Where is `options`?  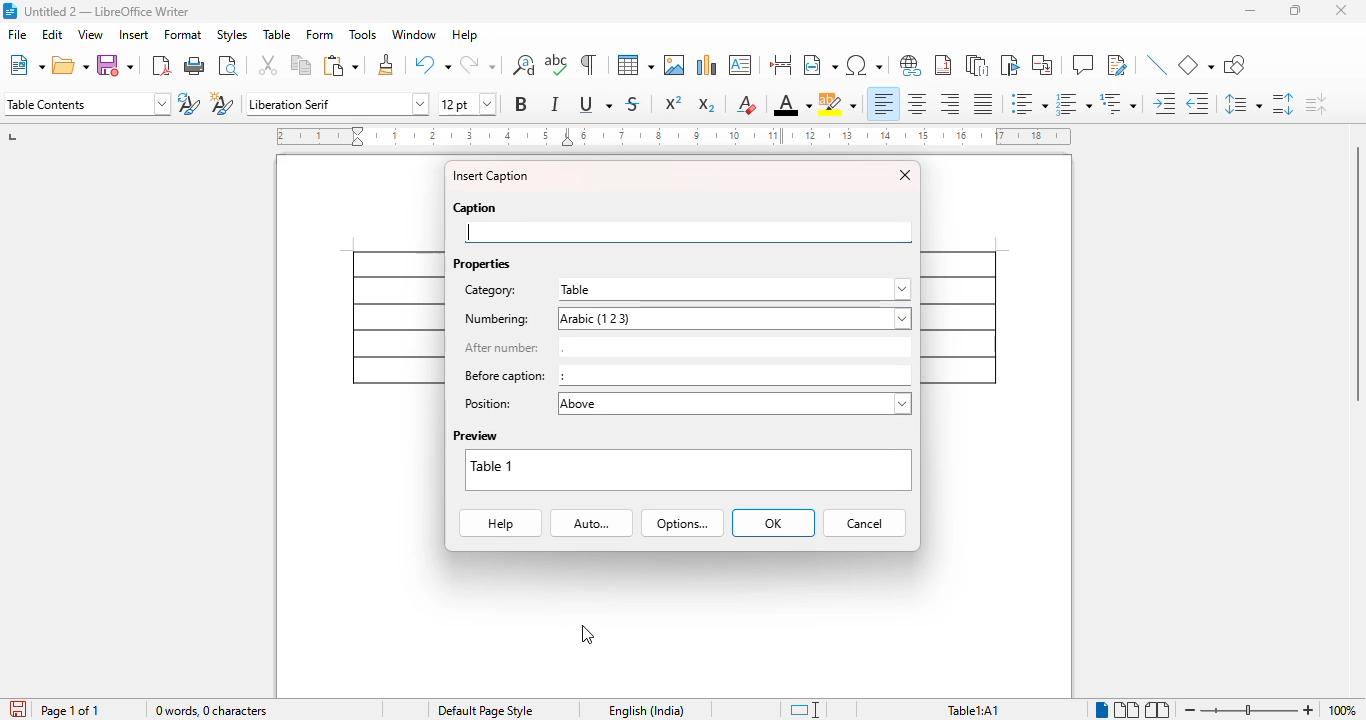
options is located at coordinates (683, 523).